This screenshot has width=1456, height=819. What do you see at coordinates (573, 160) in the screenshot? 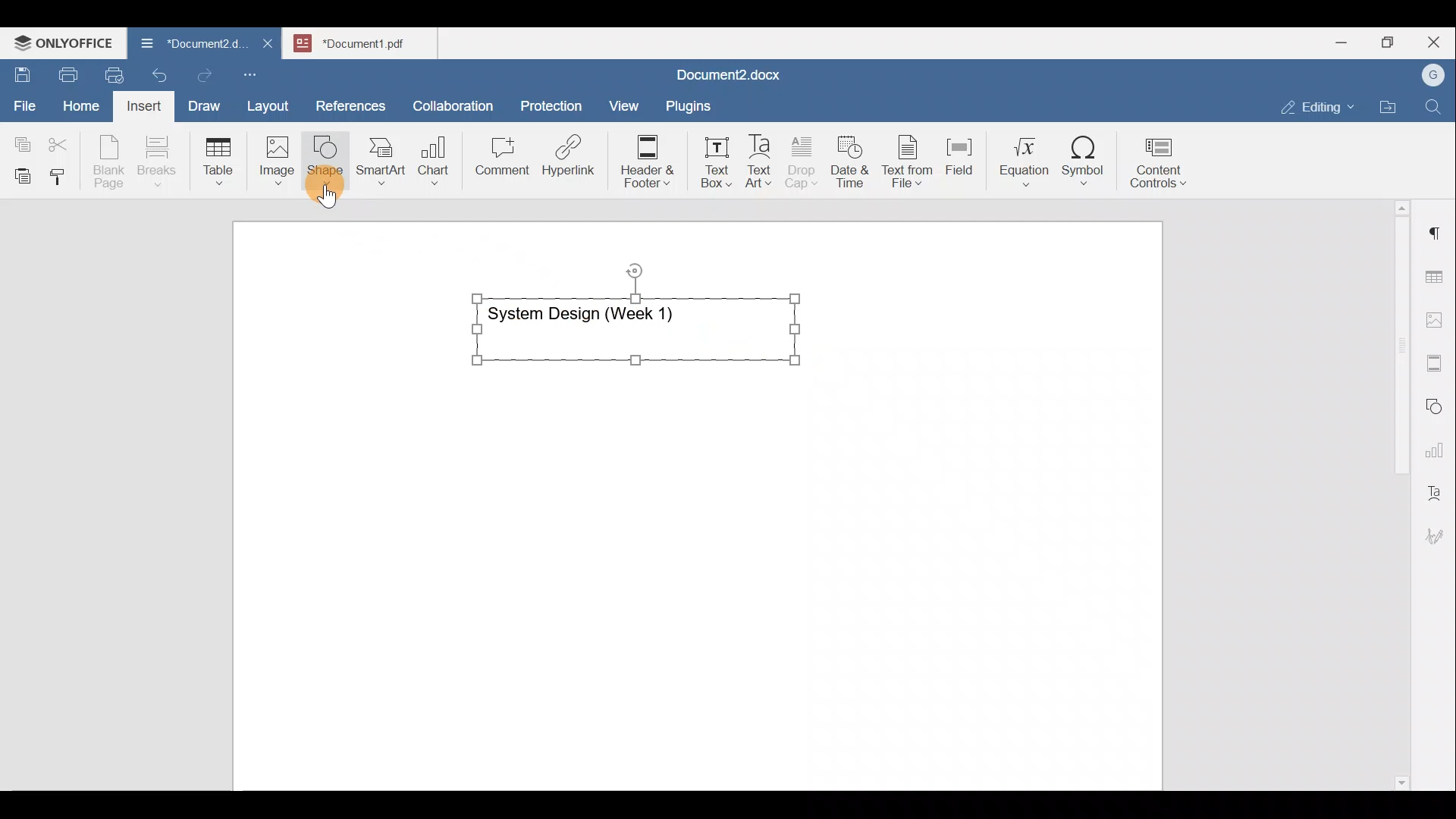
I see `Hyperlink` at bounding box center [573, 160].